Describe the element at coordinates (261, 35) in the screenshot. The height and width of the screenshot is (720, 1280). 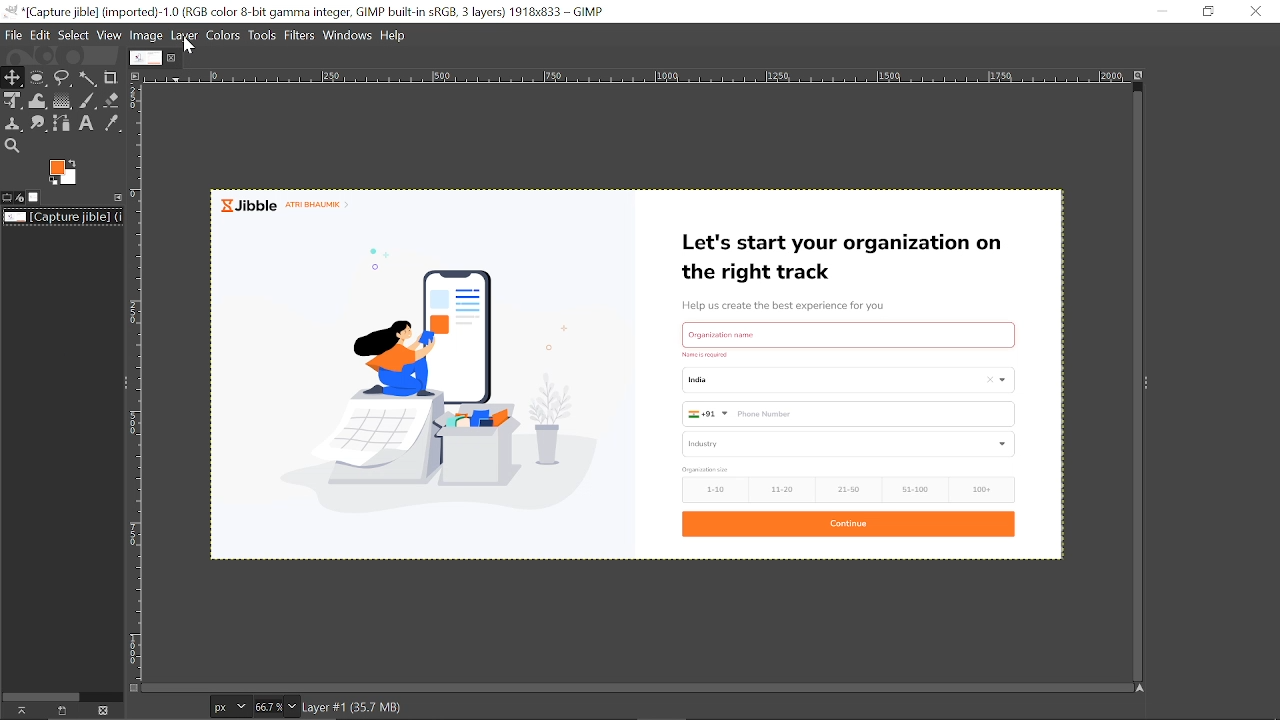
I see `Tools` at that location.